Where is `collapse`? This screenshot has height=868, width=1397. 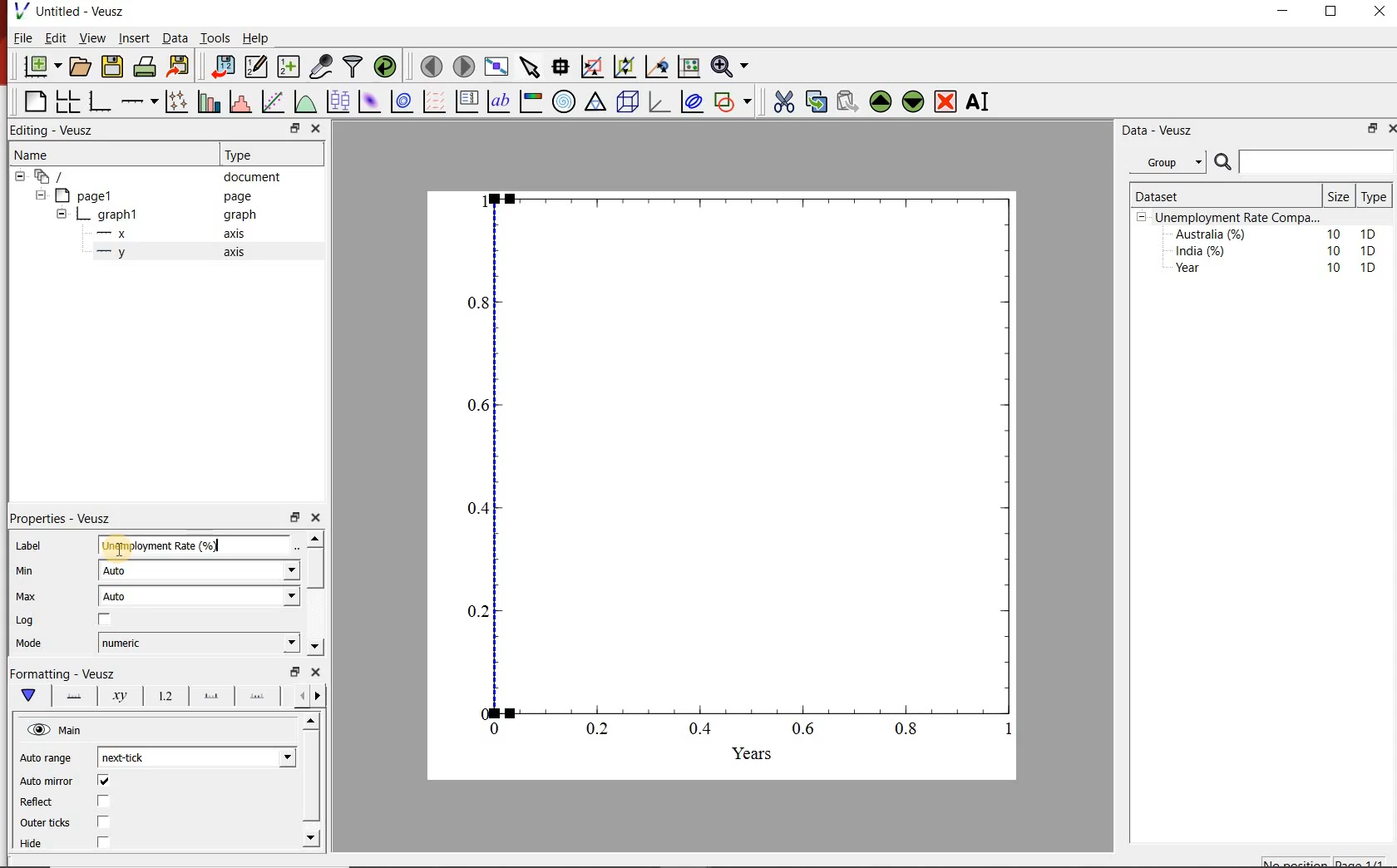
collapse is located at coordinates (19, 176).